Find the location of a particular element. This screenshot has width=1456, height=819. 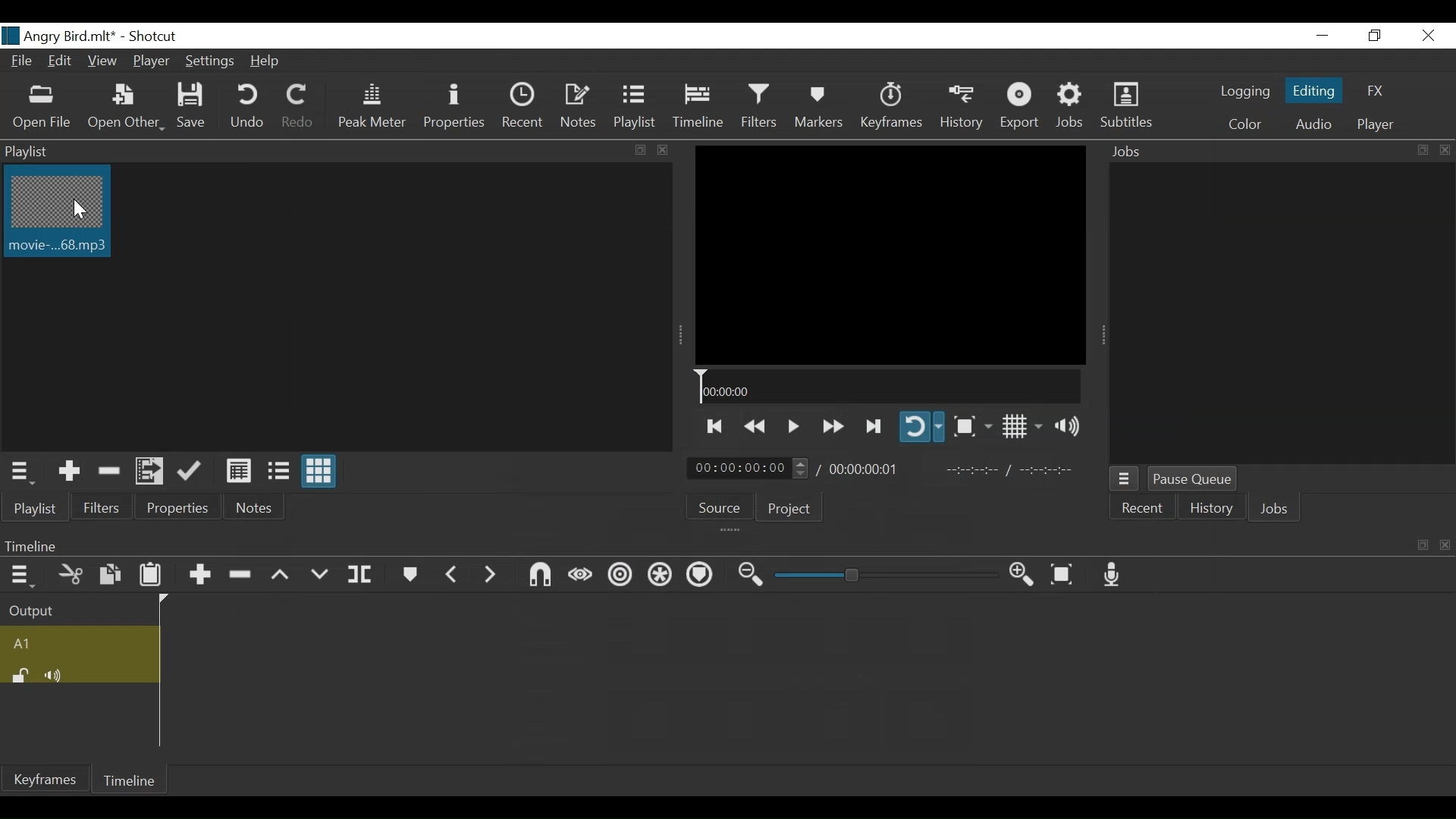

Cut is located at coordinates (67, 573).